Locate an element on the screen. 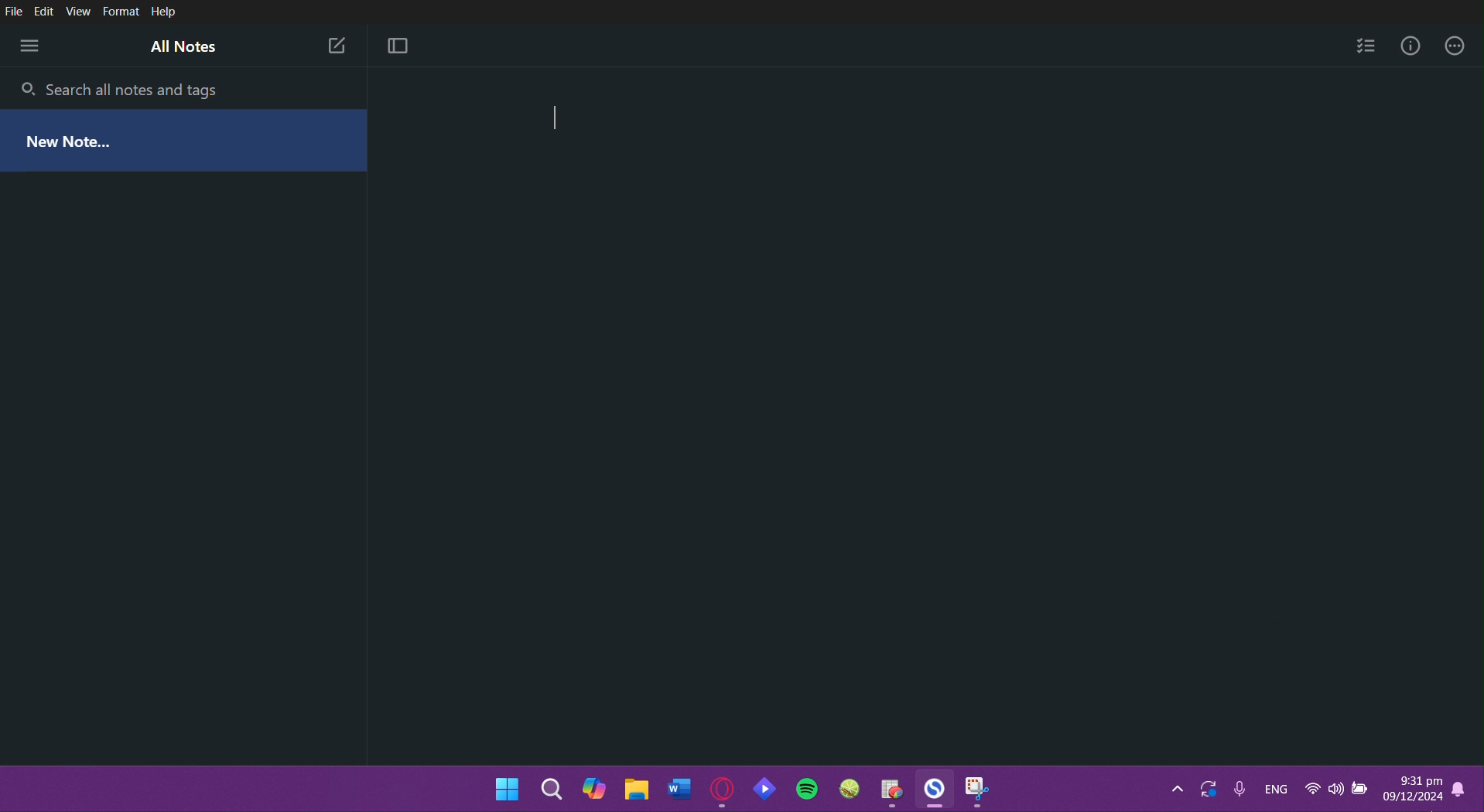  Focus Mode is located at coordinates (399, 46).